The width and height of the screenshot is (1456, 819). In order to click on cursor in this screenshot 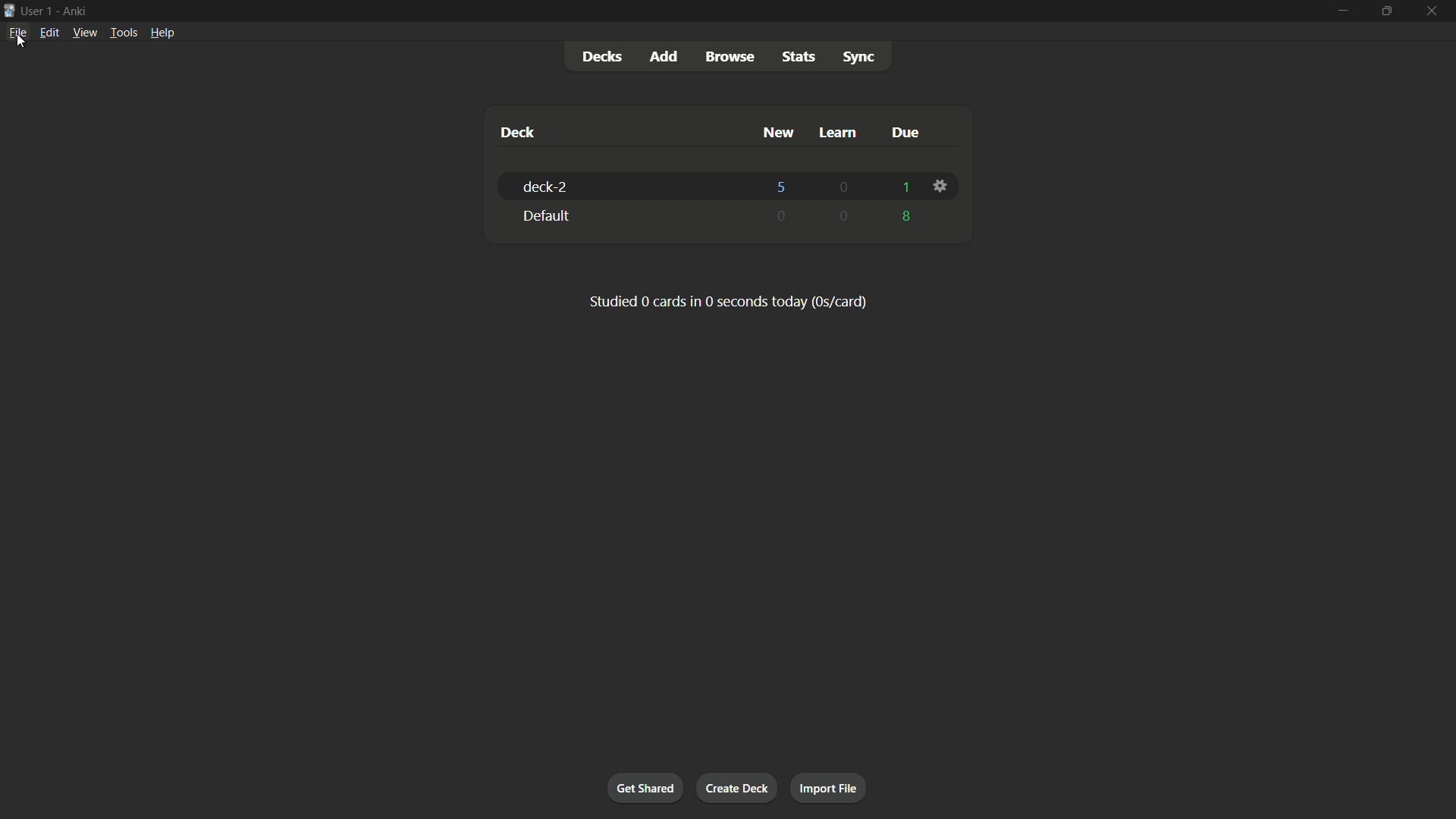, I will do `click(24, 41)`.